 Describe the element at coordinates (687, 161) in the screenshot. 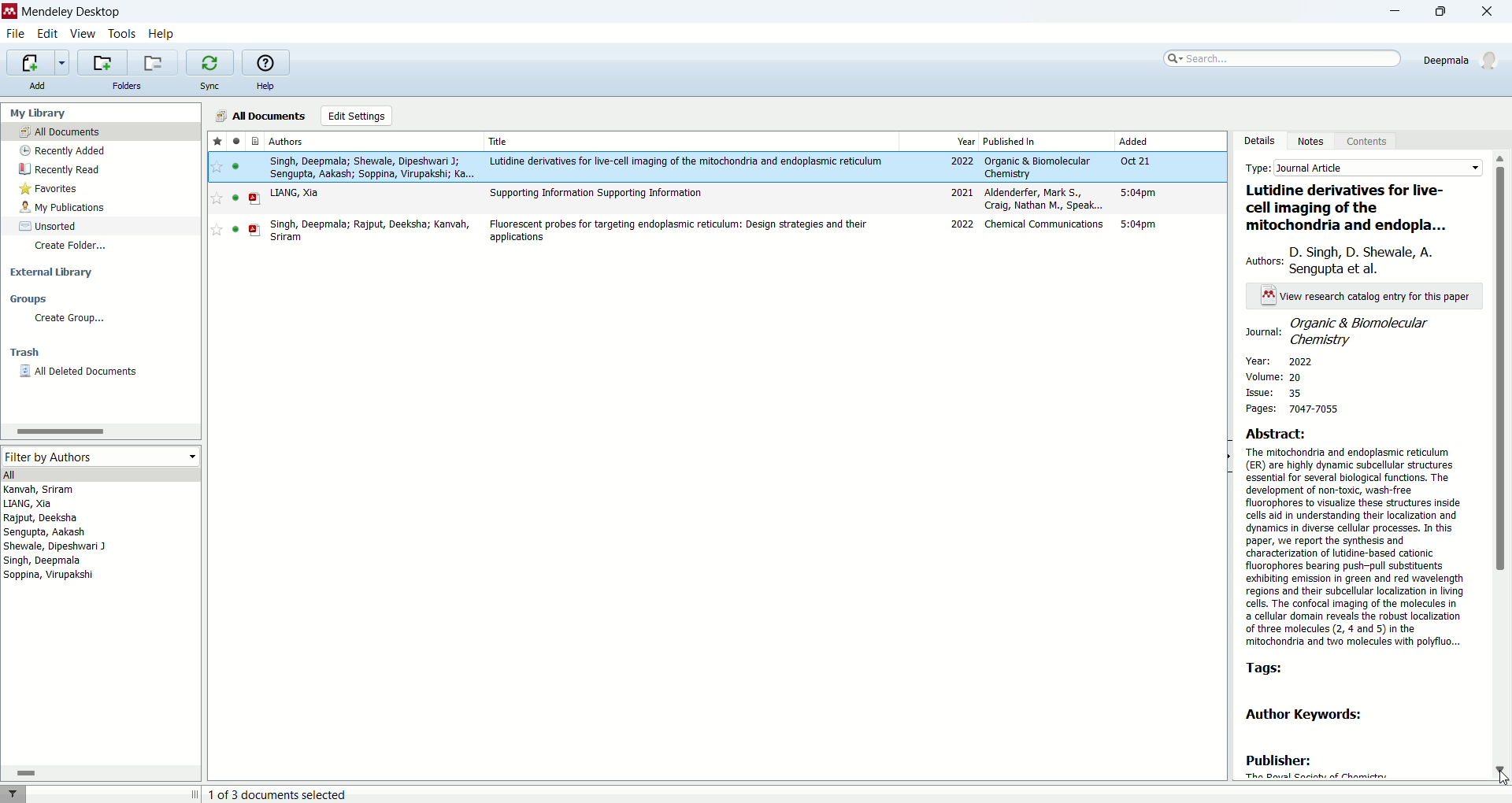

I see `Lutidine derivatives for live-cell imaging of the mitochondria and endoplasmic reticulum` at that location.